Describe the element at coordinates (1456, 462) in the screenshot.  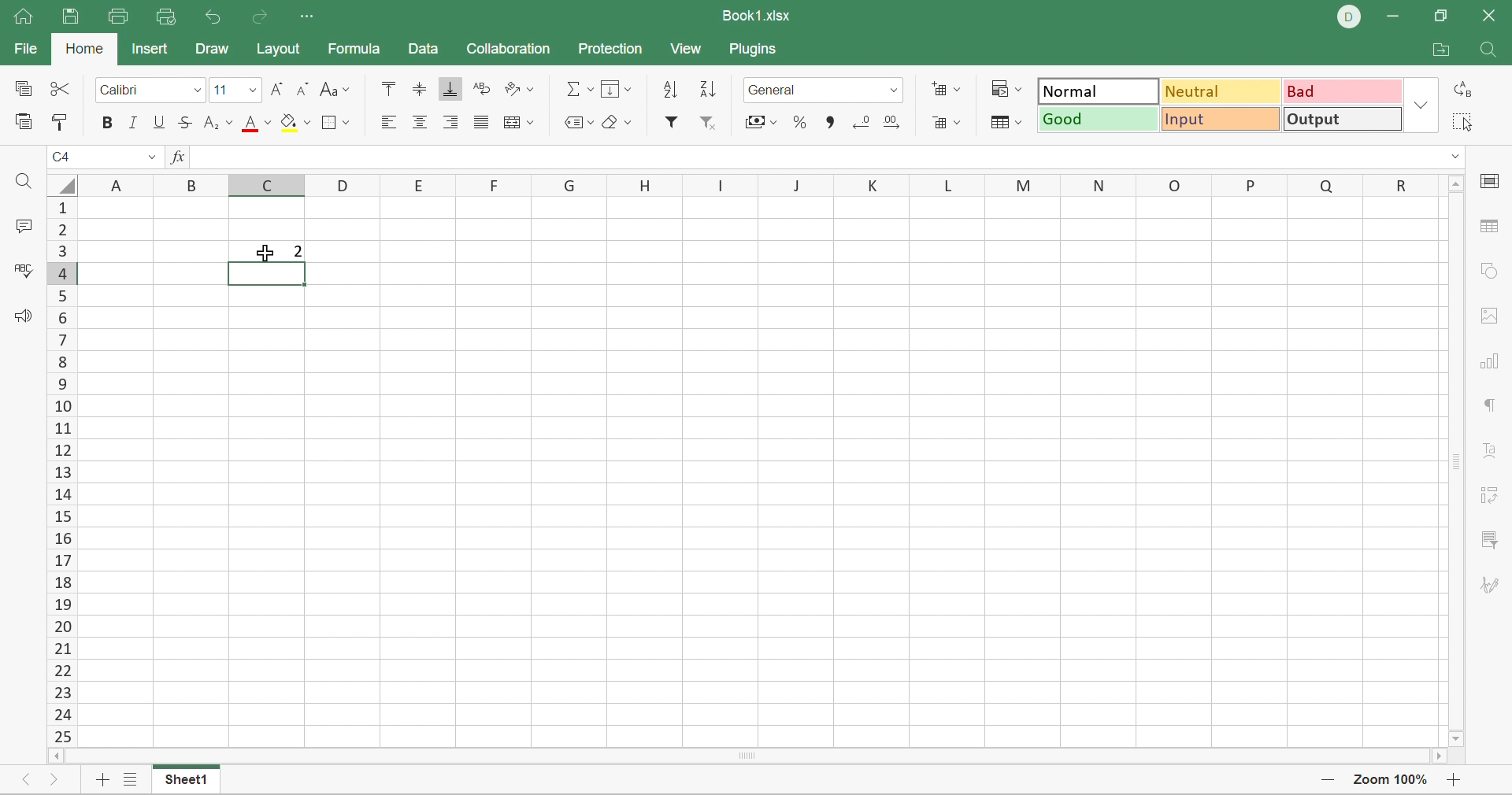
I see `Scroll Bar` at that location.